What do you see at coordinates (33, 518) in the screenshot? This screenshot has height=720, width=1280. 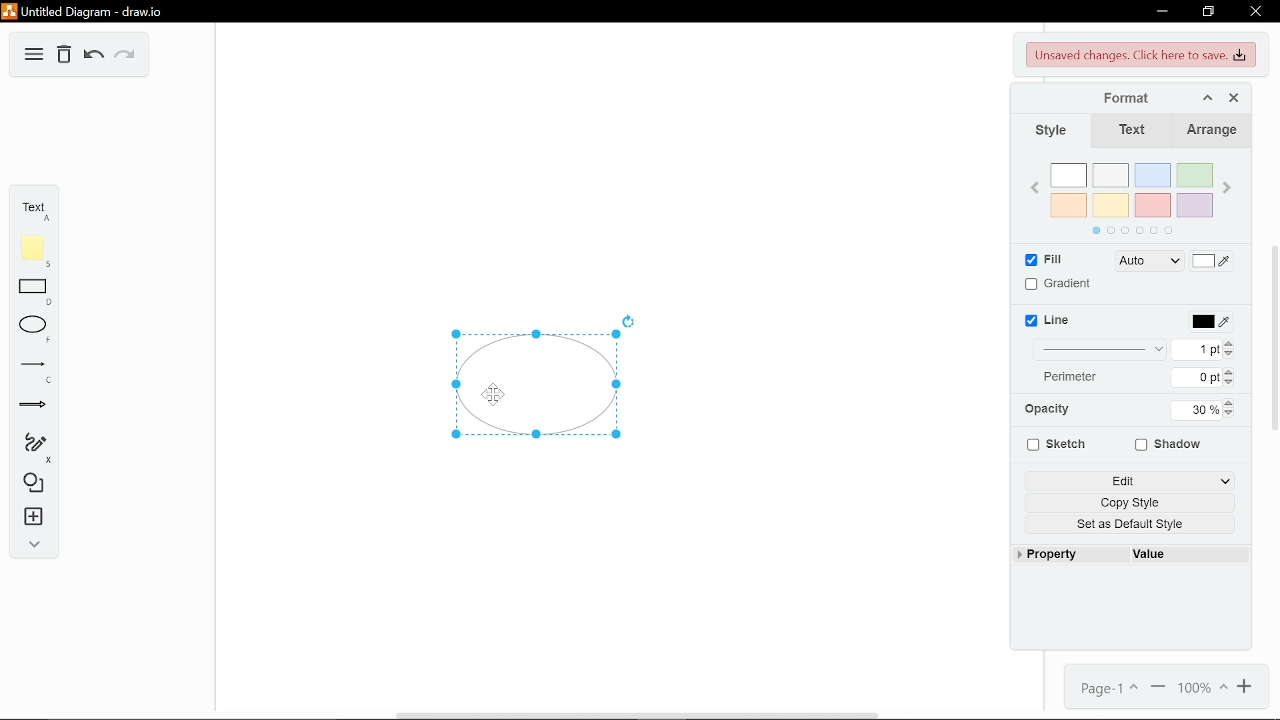 I see `insert` at bounding box center [33, 518].